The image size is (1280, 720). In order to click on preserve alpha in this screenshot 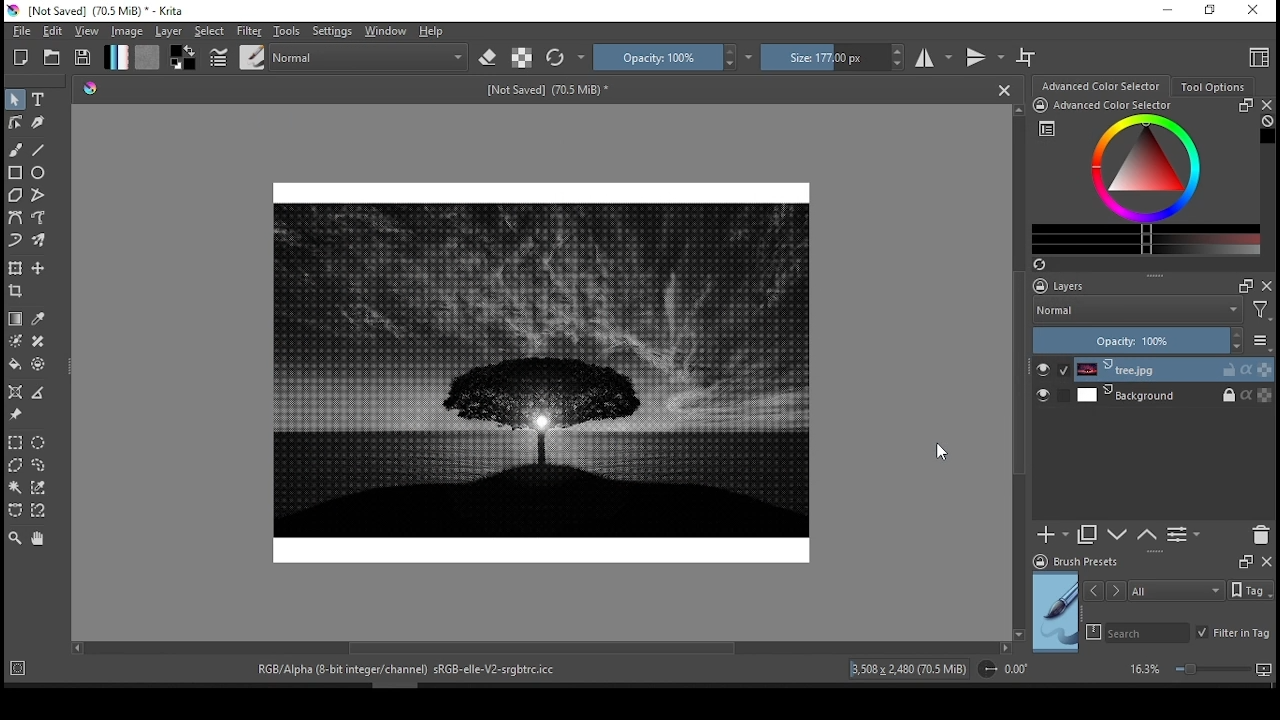, I will do `click(521, 58)`.